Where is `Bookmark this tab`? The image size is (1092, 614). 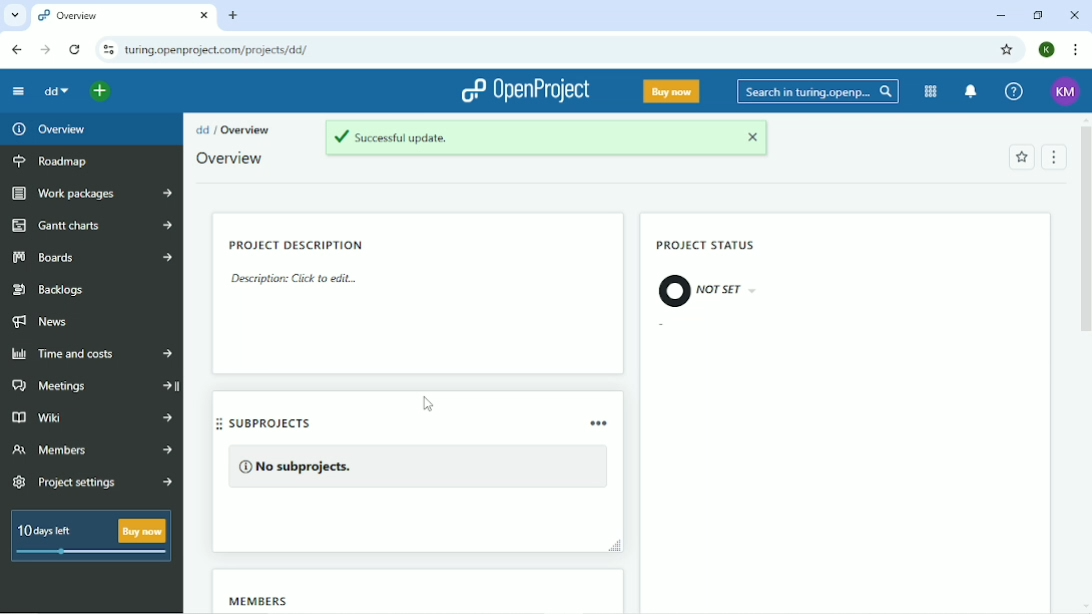 Bookmark this tab is located at coordinates (1006, 50).